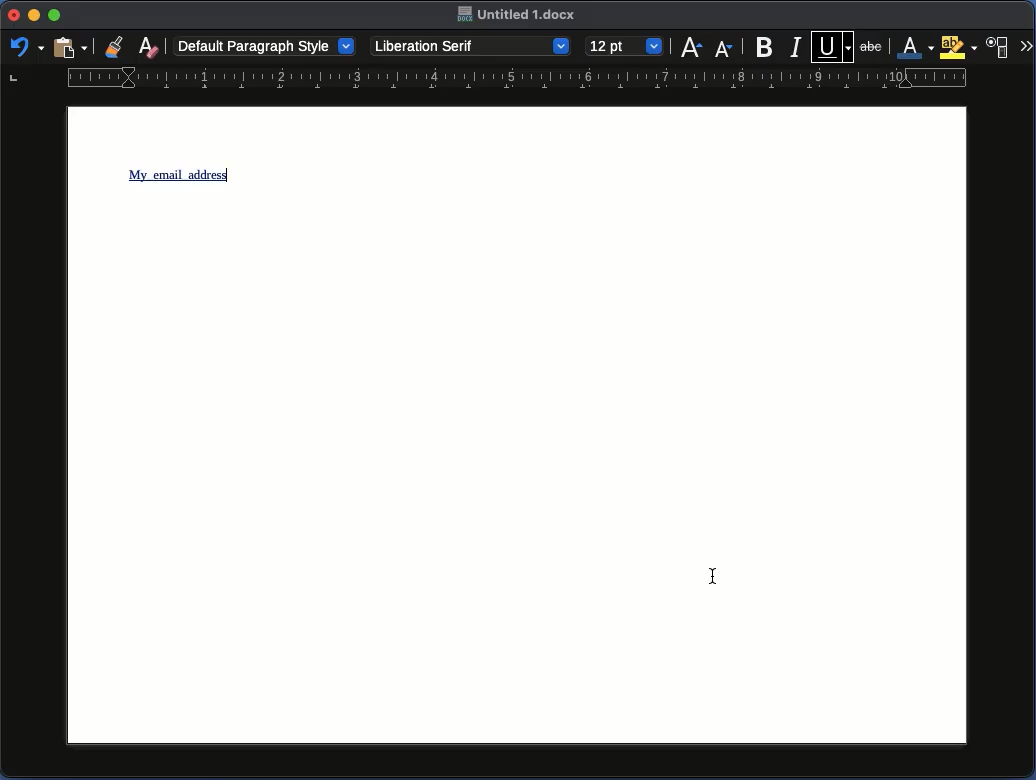 The image size is (1036, 780). I want to click on More, so click(1026, 44).